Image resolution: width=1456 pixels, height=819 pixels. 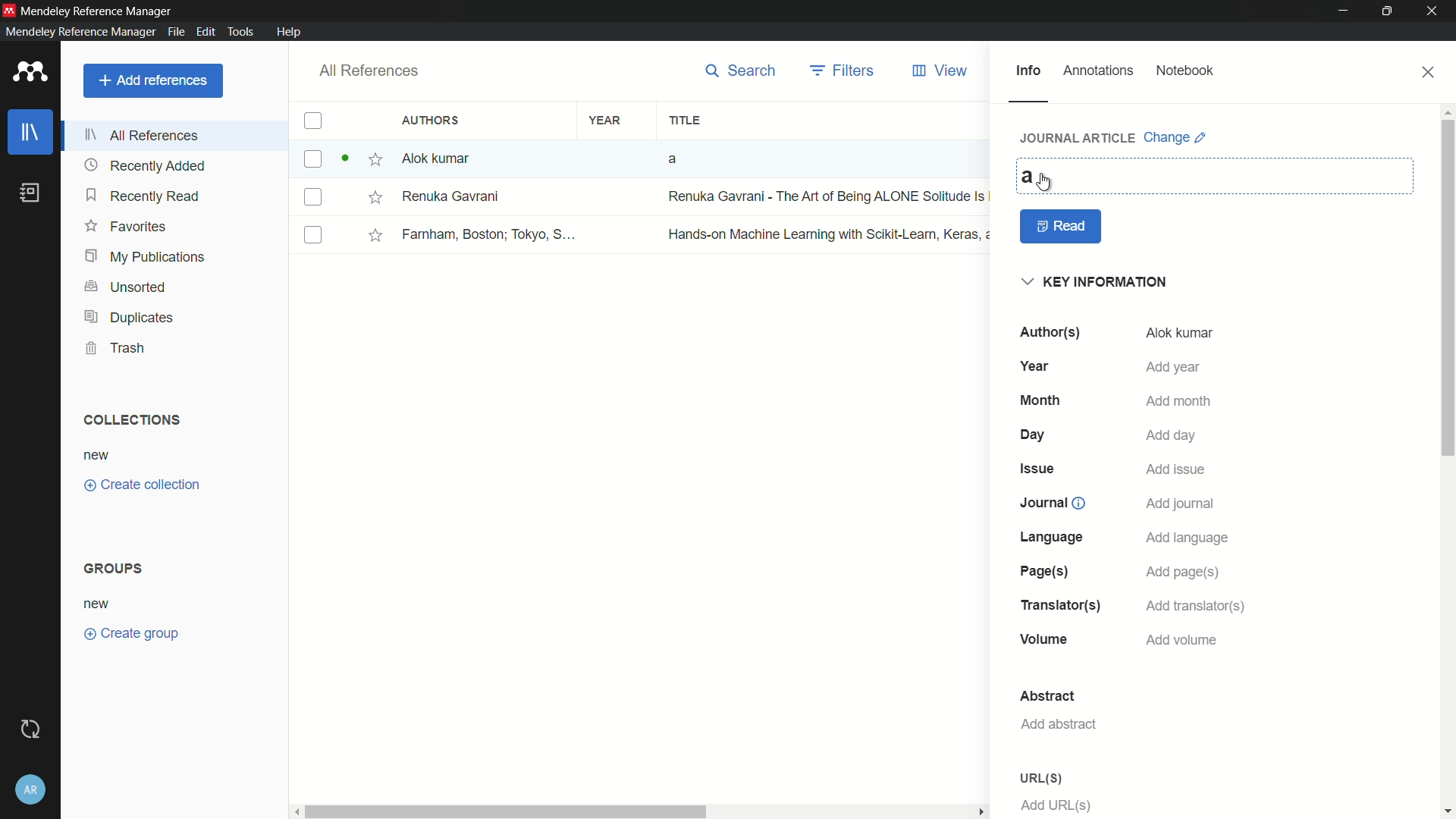 What do you see at coordinates (146, 258) in the screenshot?
I see `my publications` at bounding box center [146, 258].